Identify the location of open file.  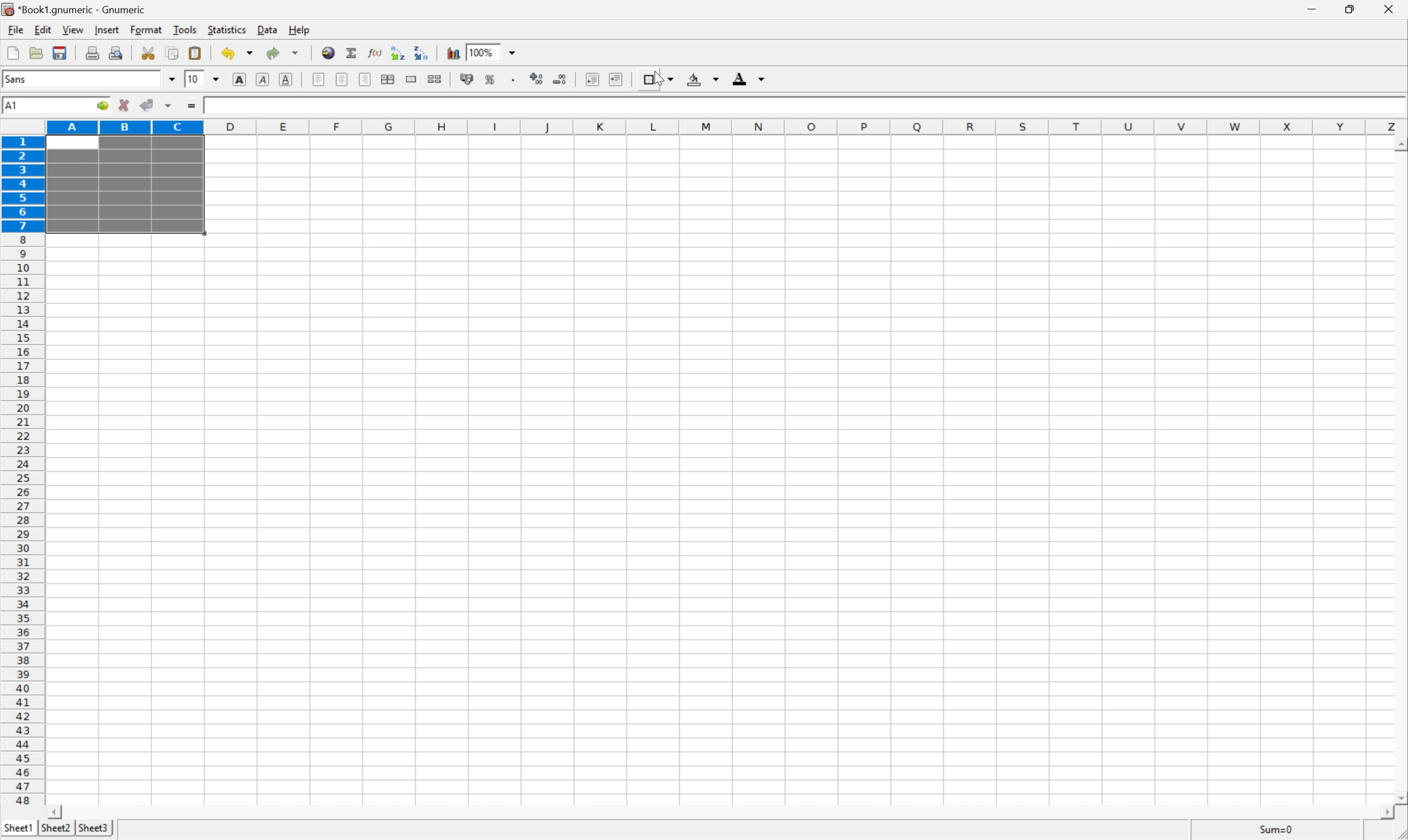
(38, 51).